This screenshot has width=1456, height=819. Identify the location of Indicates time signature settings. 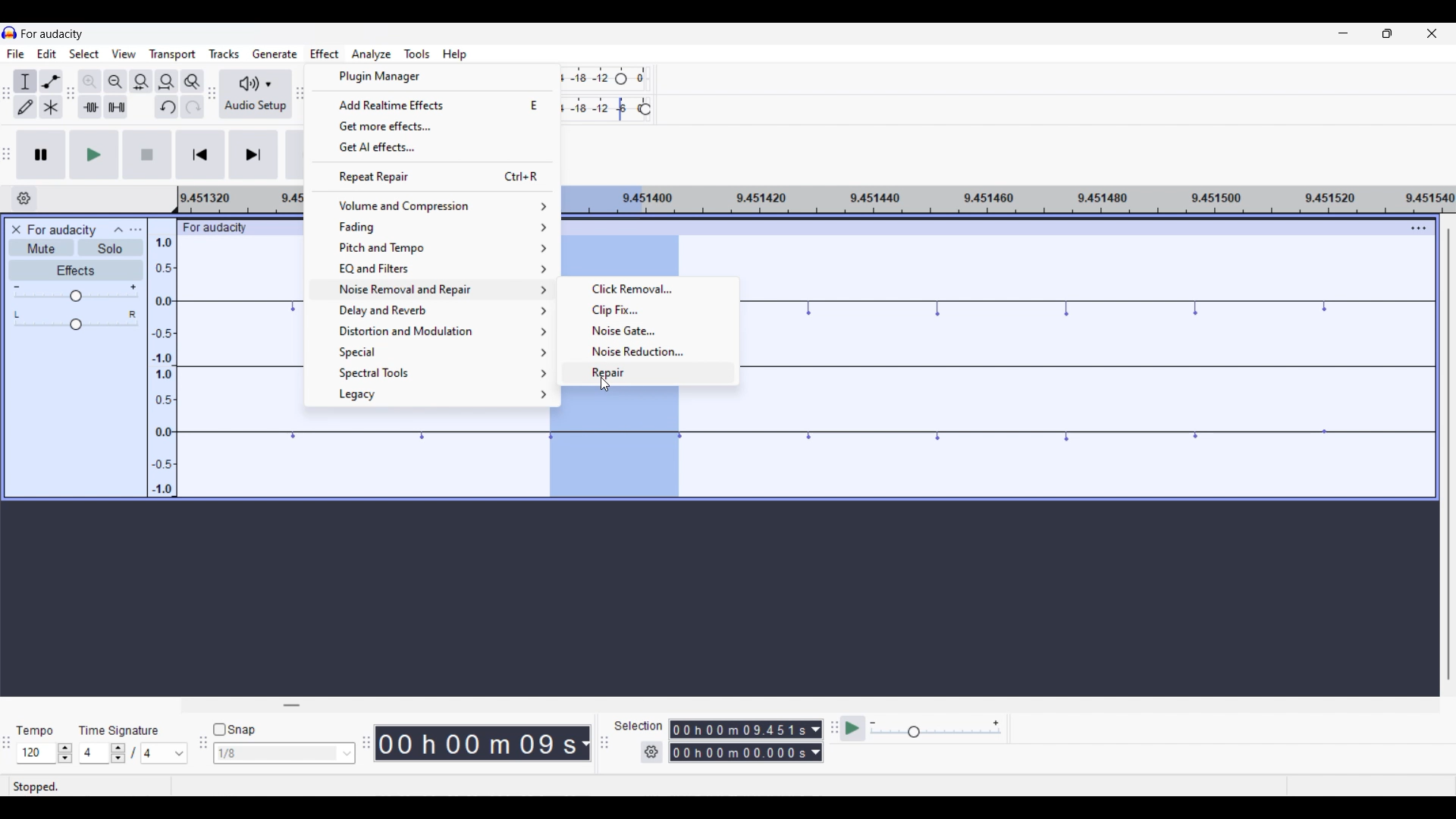
(118, 731).